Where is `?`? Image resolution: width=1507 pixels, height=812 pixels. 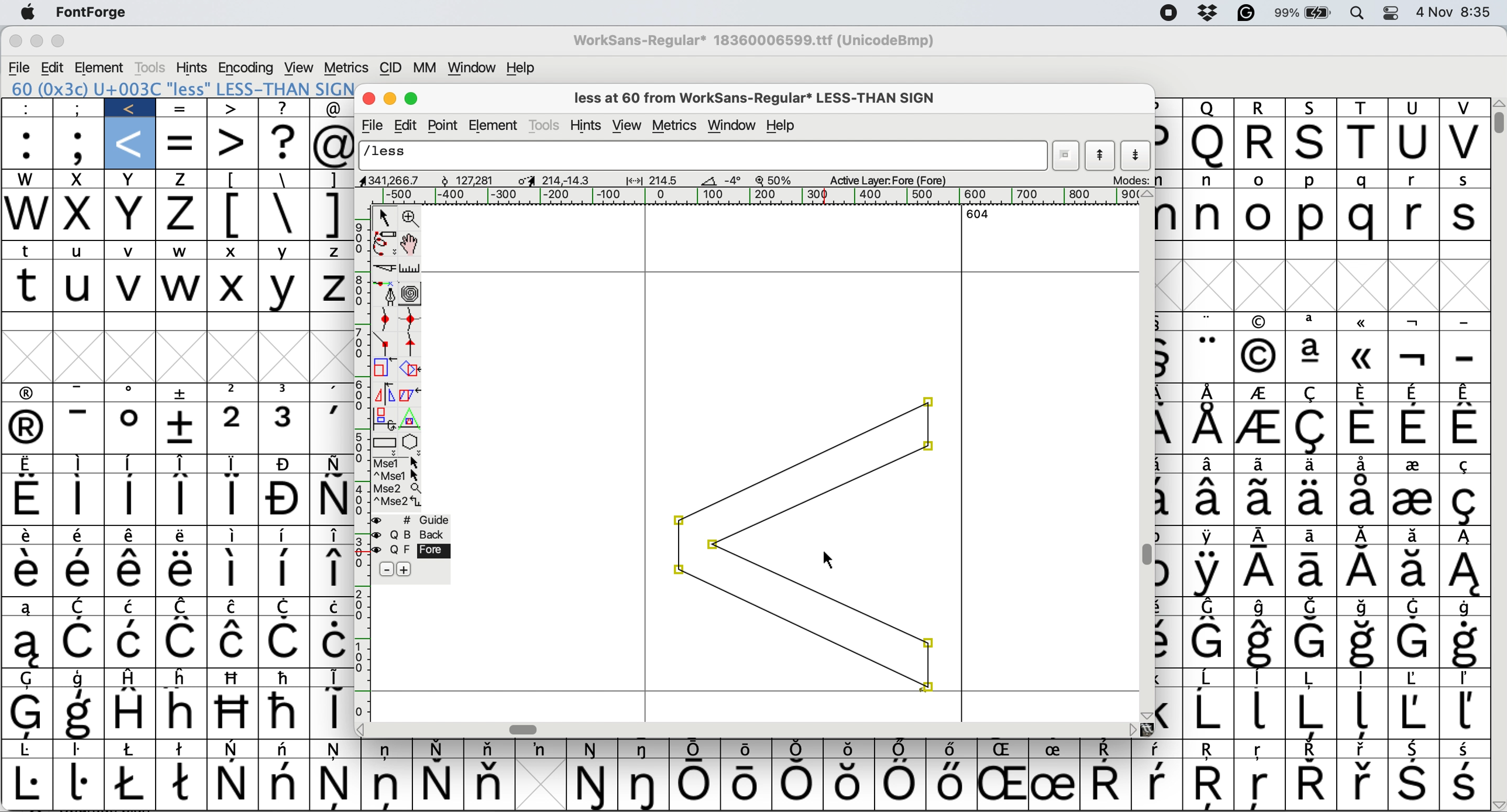
? is located at coordinates (285, 107).